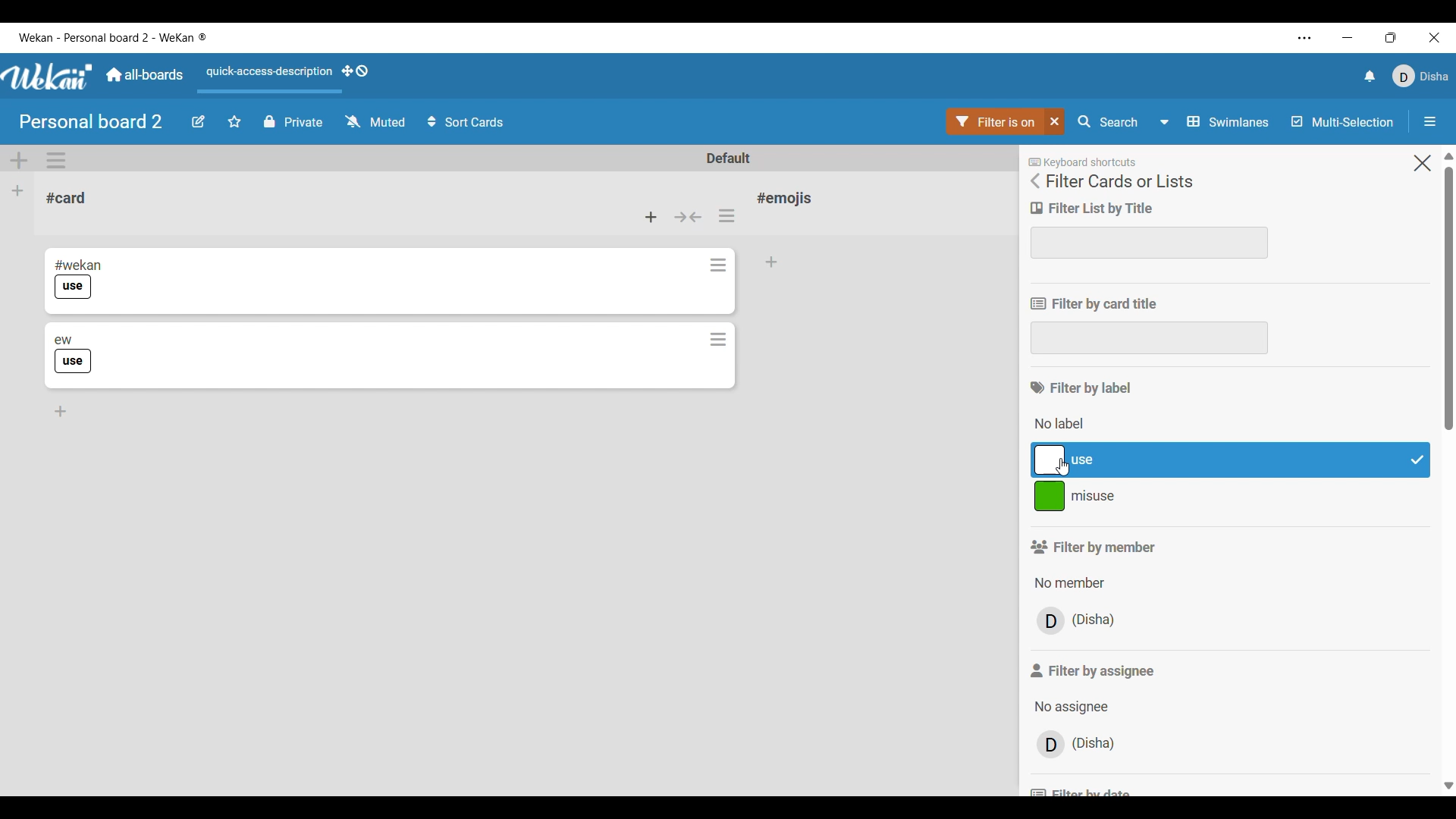 The width and height of the screenshot is (1456, 819). I want to click on Software and board name, so click(111, 37).